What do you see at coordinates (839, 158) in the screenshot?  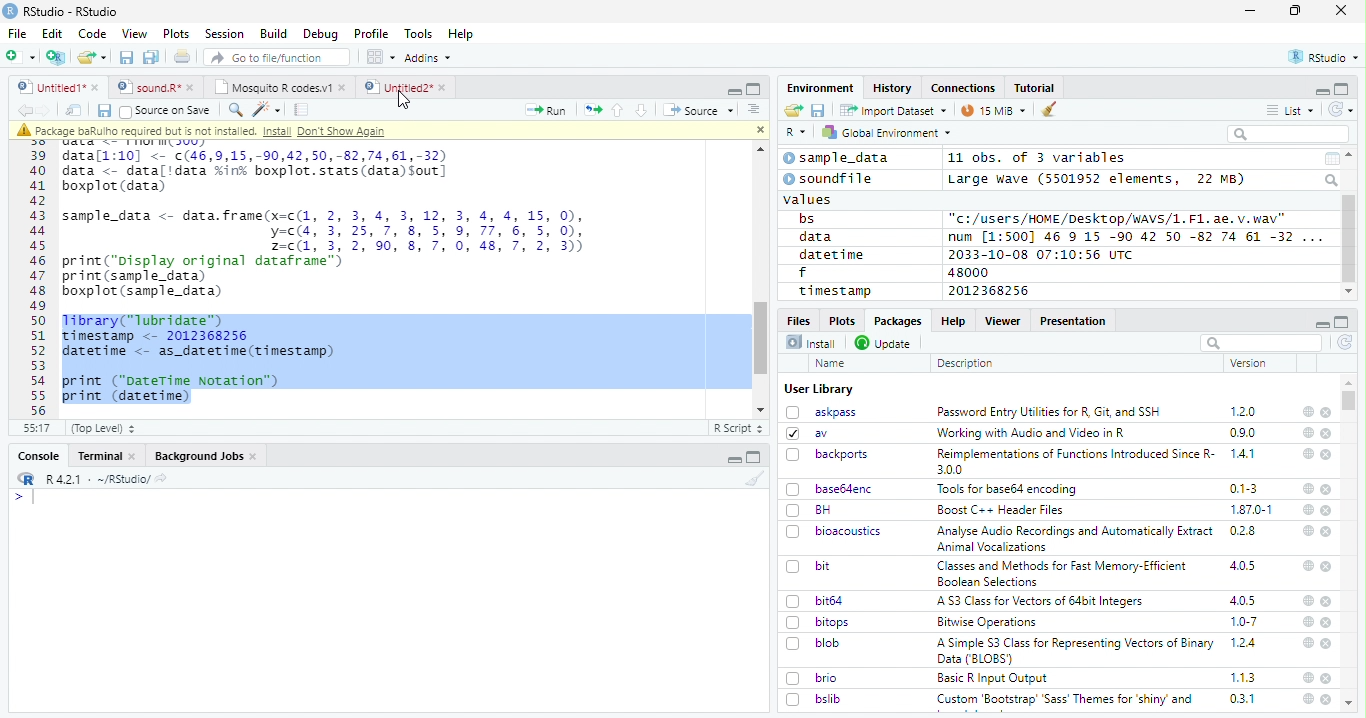 I see `sample_data` at bounding box center [839, 158].